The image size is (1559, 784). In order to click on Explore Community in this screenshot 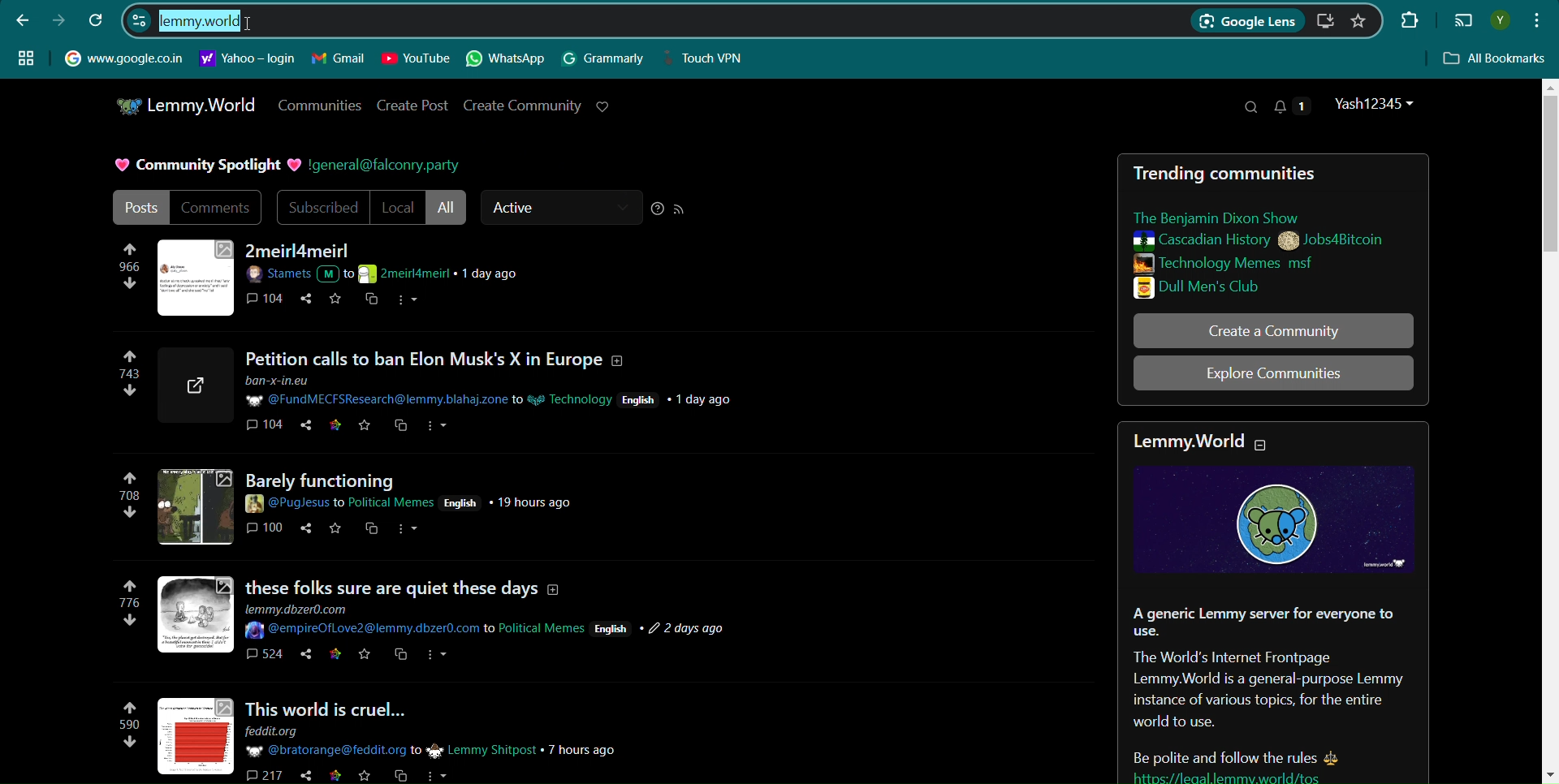, I will do `click(1273, 373)`.